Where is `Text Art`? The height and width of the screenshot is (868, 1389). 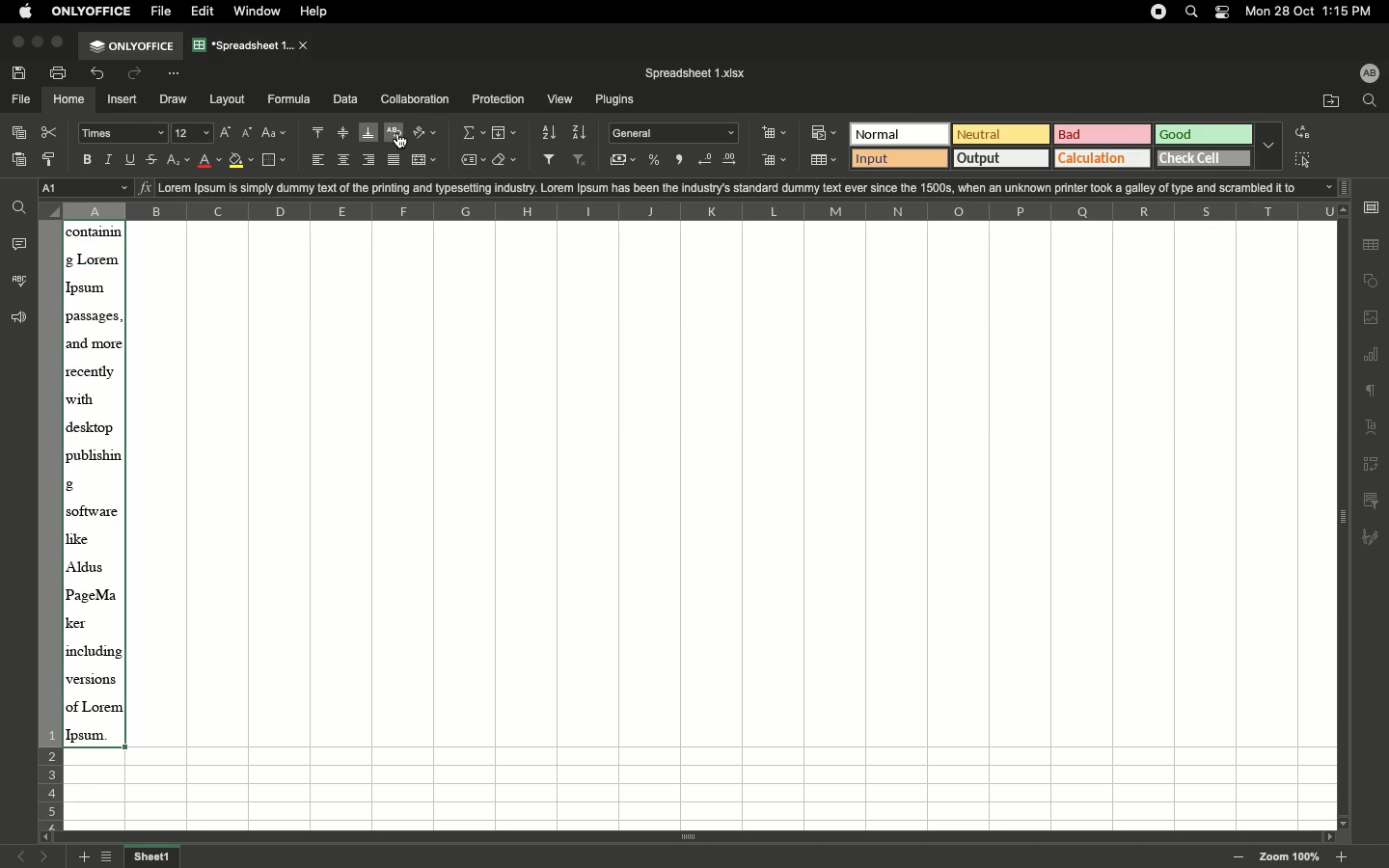
Text Art is located at coordinates (1371, 428).